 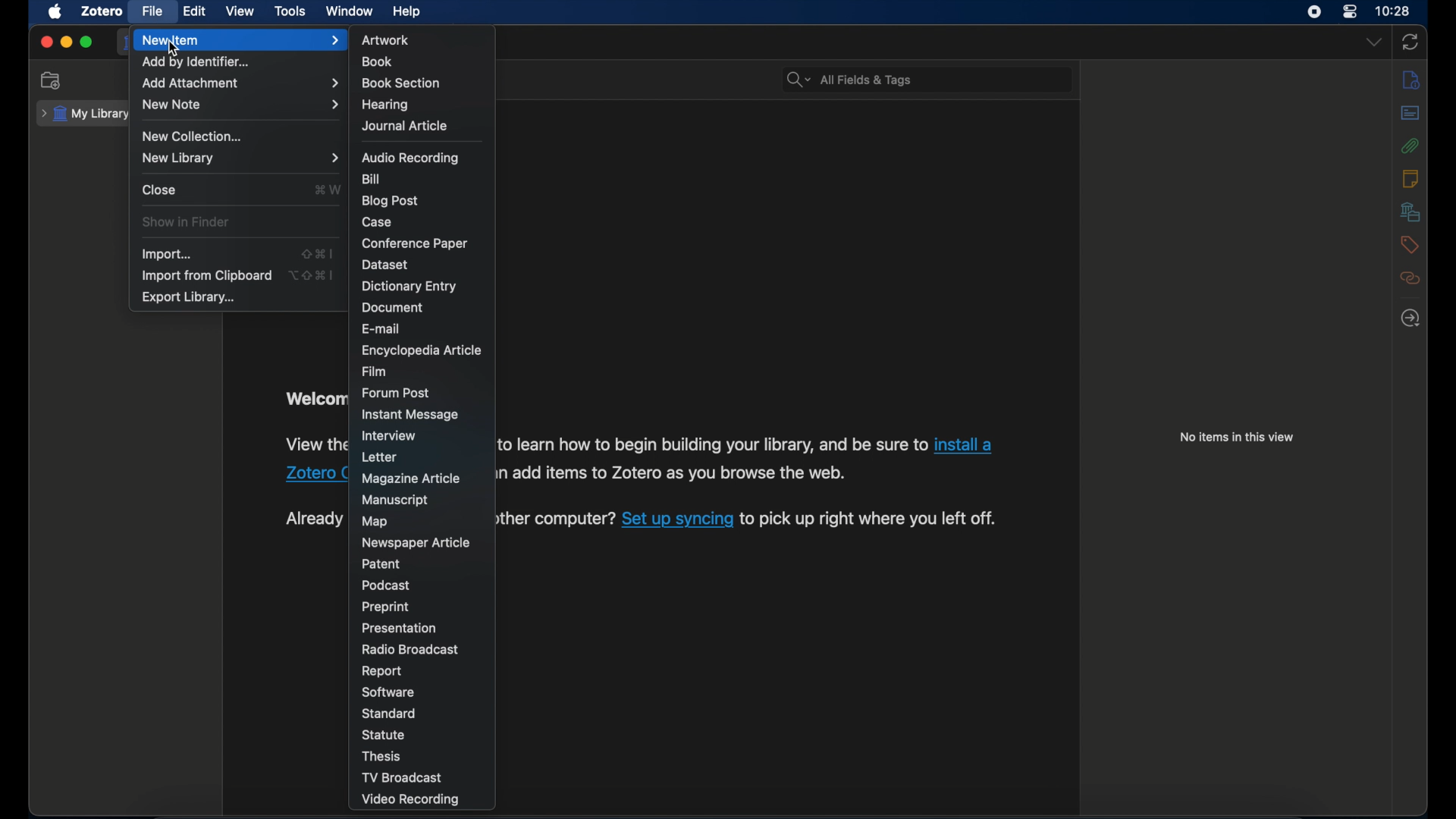 I want to click on dropdown, so click(x=1373, y=42).